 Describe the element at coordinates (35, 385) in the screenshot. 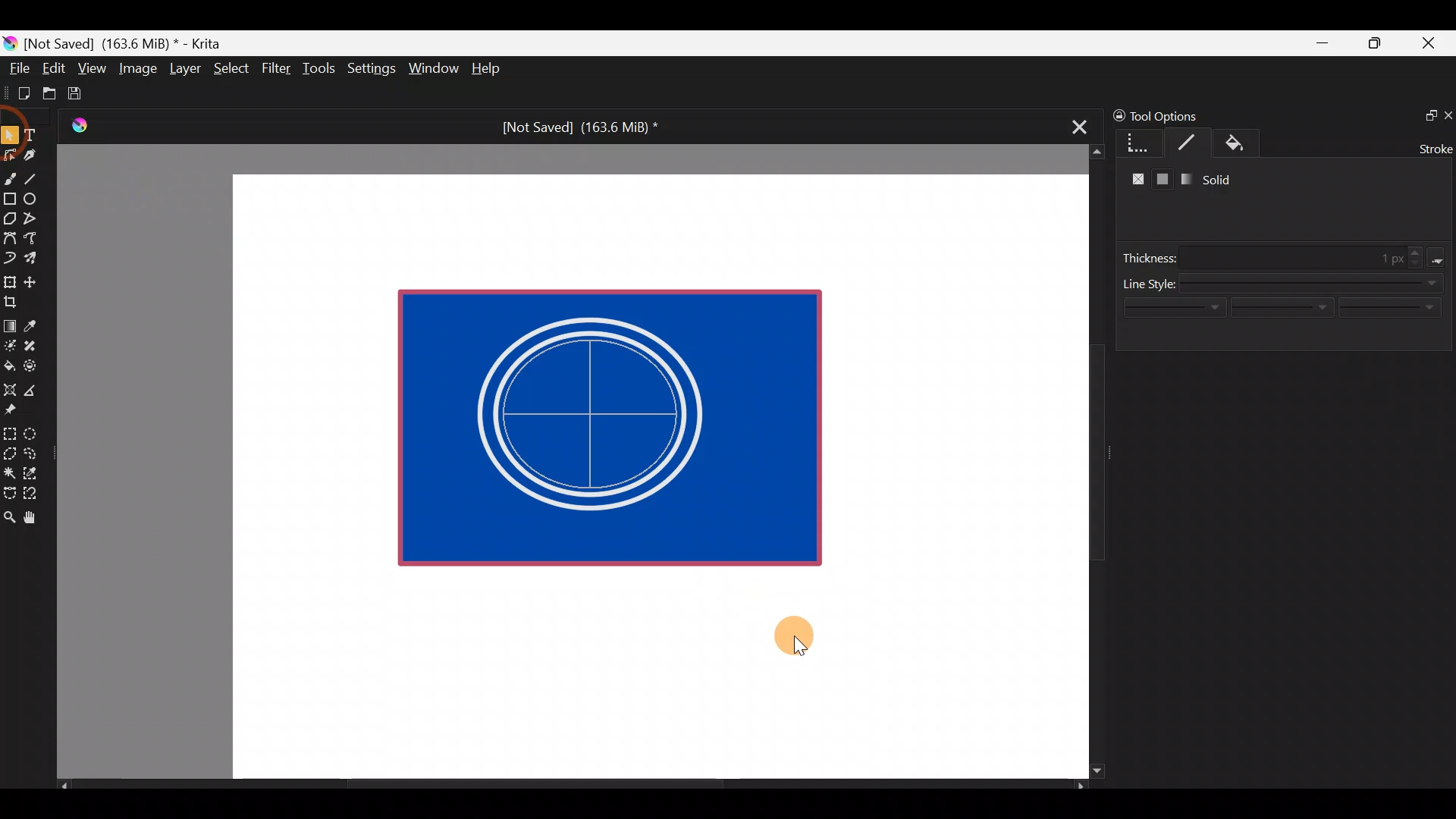

I see `Measure the distance between two points` at that location.